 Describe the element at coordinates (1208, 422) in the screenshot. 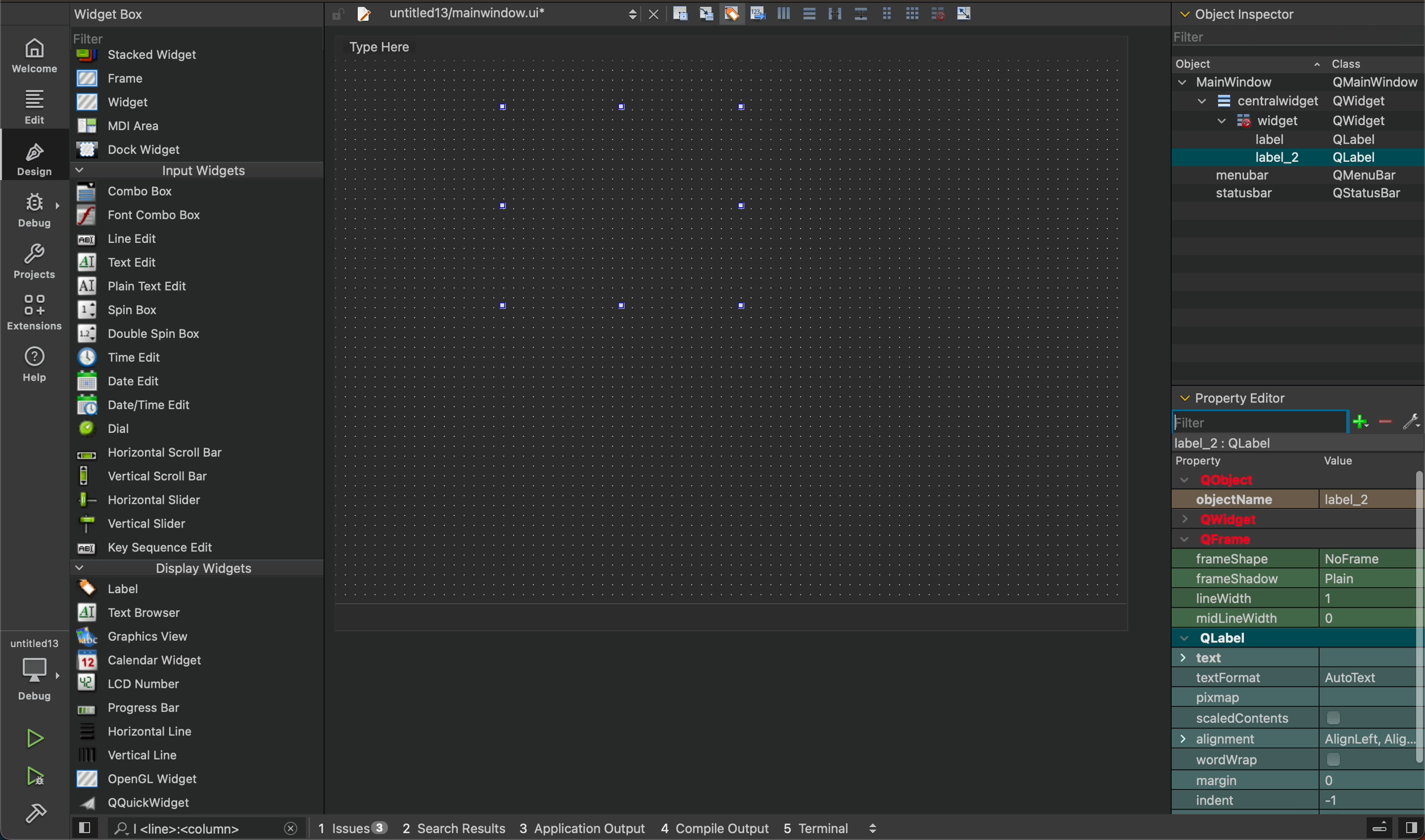

I see `cursor` at that location.